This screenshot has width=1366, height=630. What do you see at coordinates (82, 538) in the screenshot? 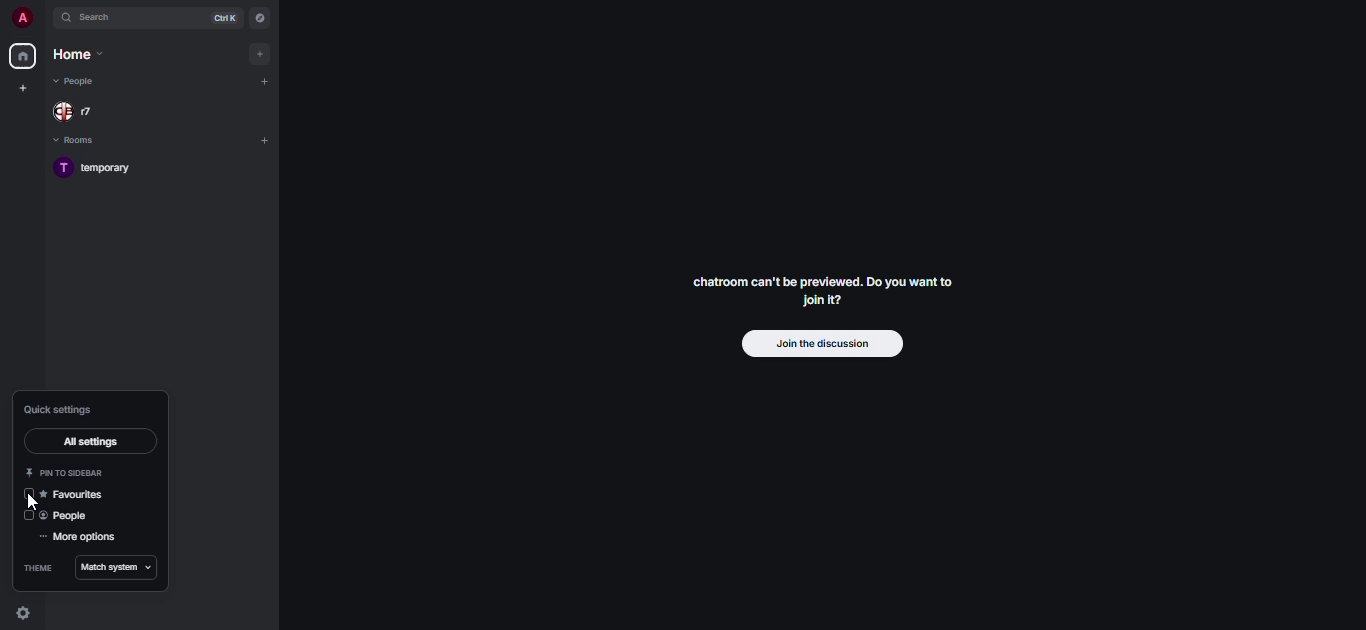
I see `more options` at bounding box center [82, 538].